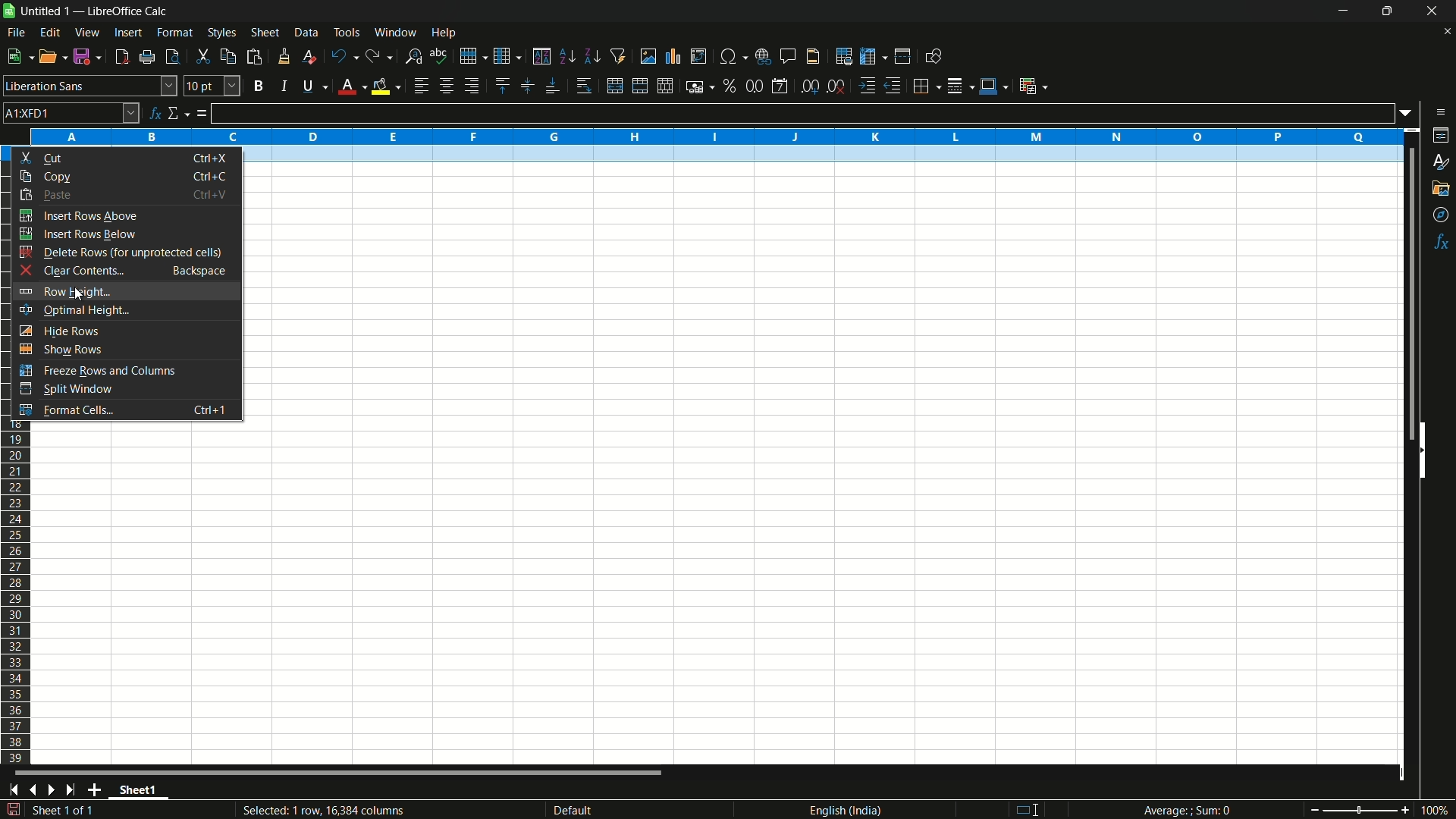 This screenshot has height=819, width=1456. Describe the element at coordinates (1359, 809) in the screenshot. I see `zoom slider` at that location.